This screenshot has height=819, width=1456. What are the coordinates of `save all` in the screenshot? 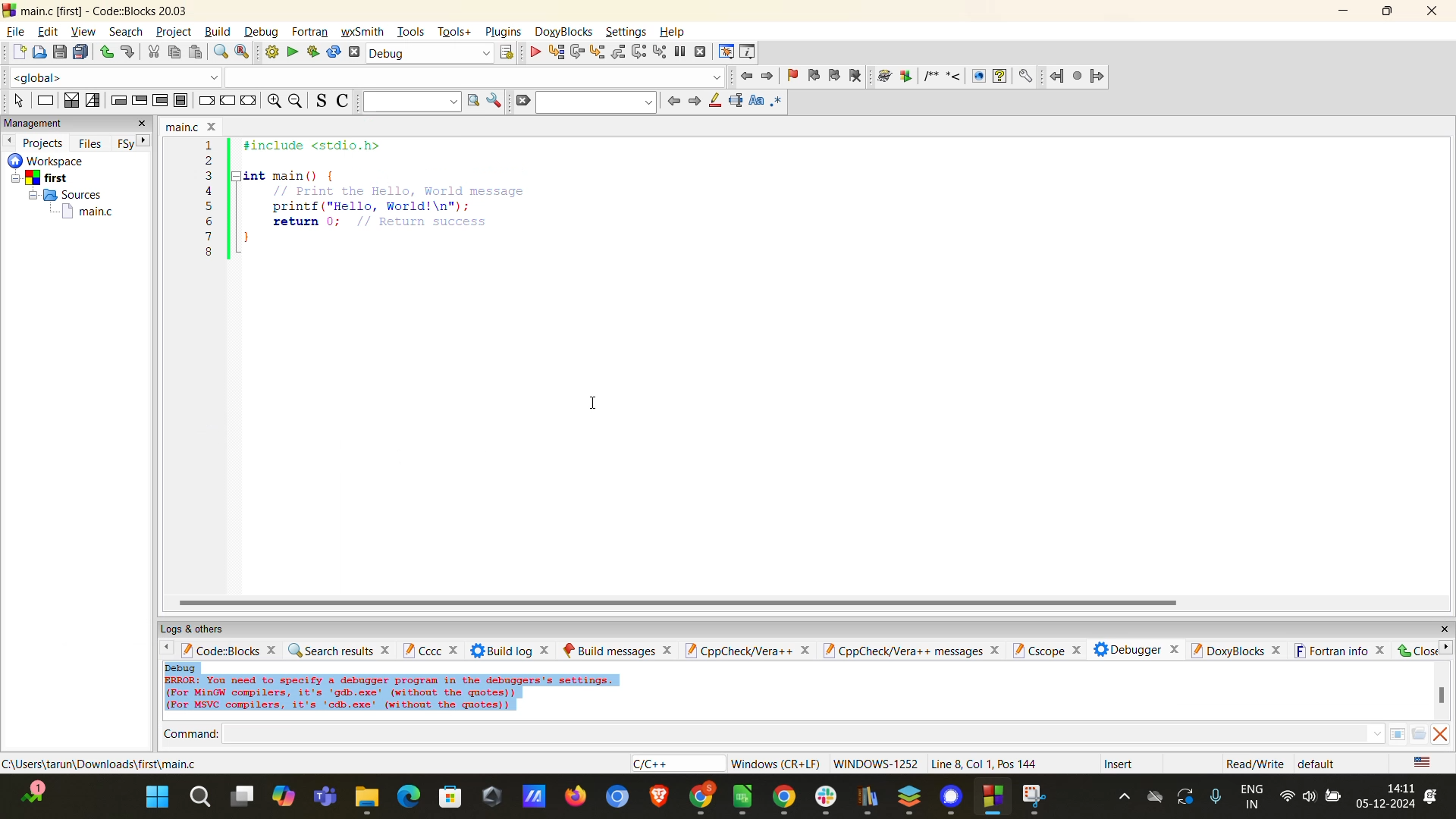 It's located at (79, 52).